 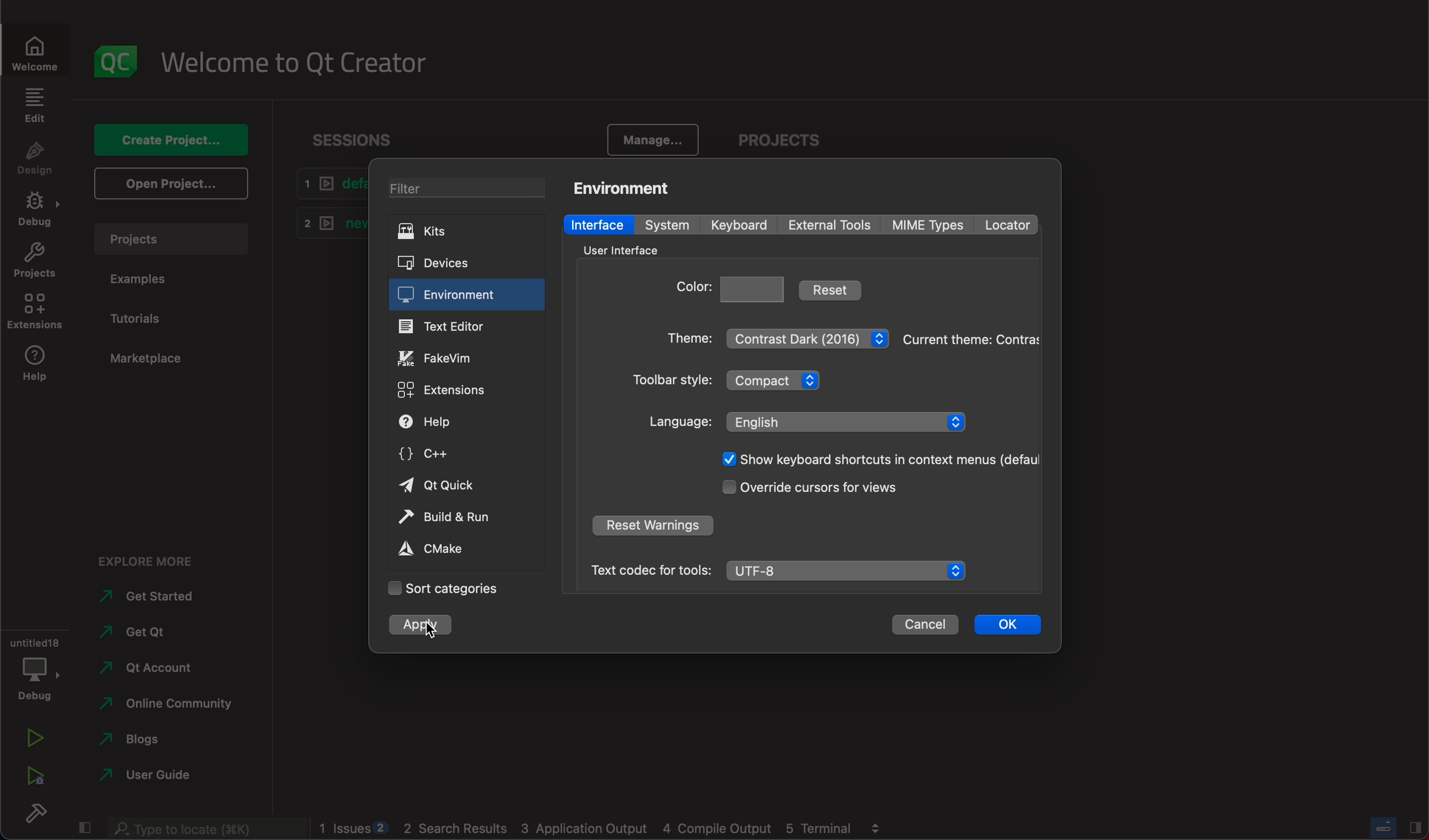 What do you see at coordinates (736, 383) in the screenshot?
I see `toolbar style` at bounding box center [736, 383].